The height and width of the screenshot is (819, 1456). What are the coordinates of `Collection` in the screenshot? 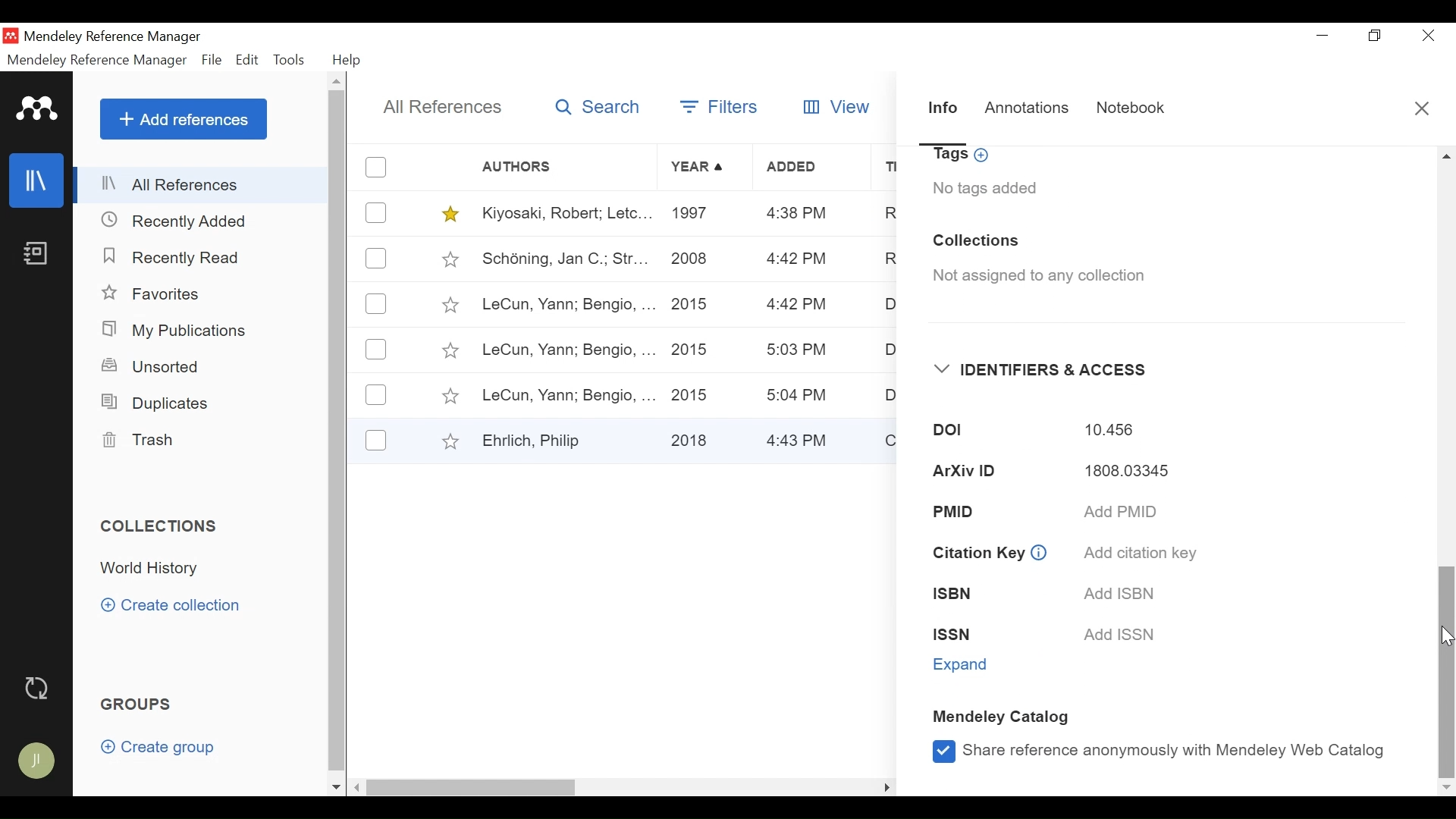 It's located at (157, 568).